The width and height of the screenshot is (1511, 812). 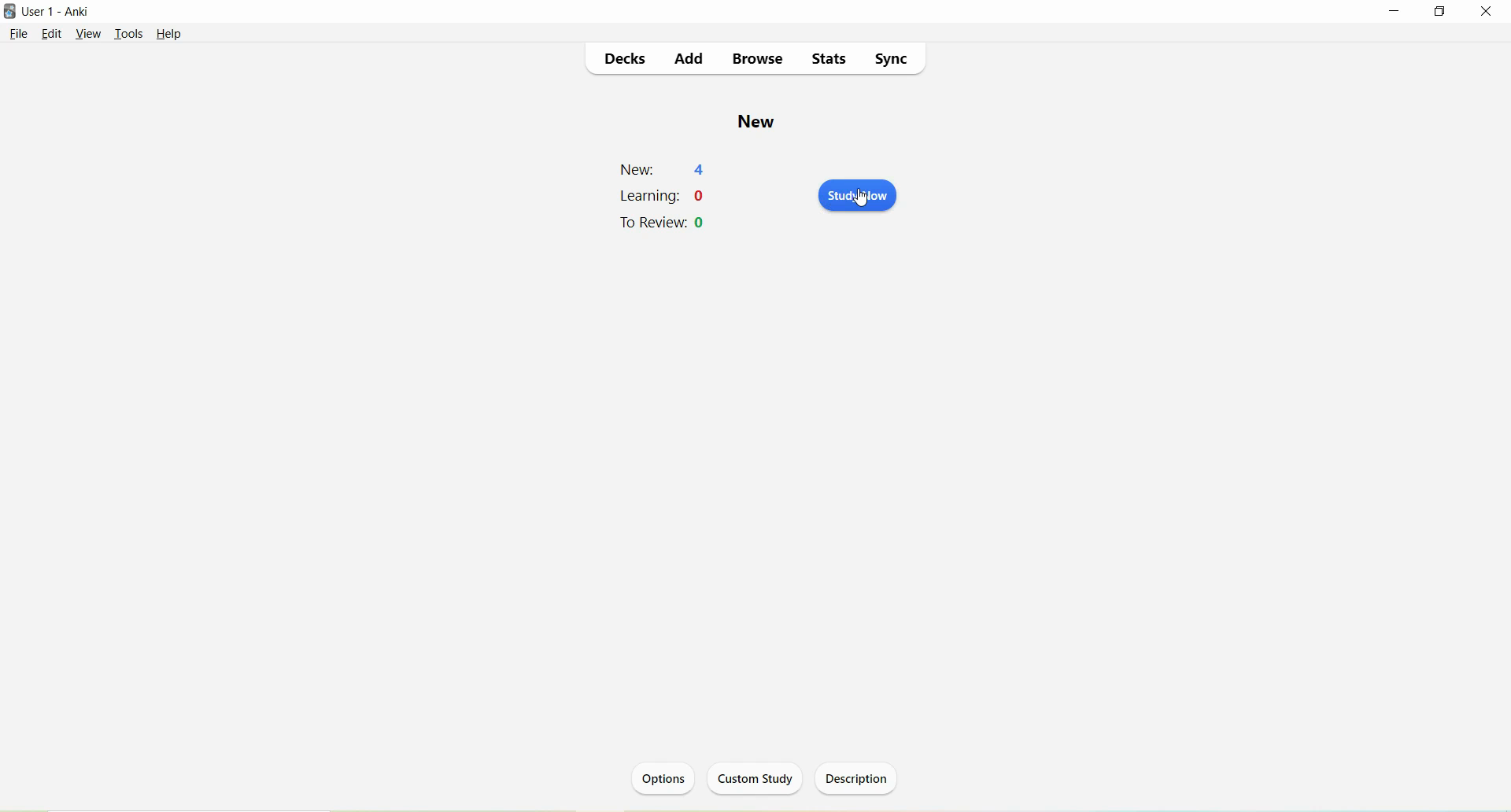 I want to click on Maximize, so click(x=1437, y=13).